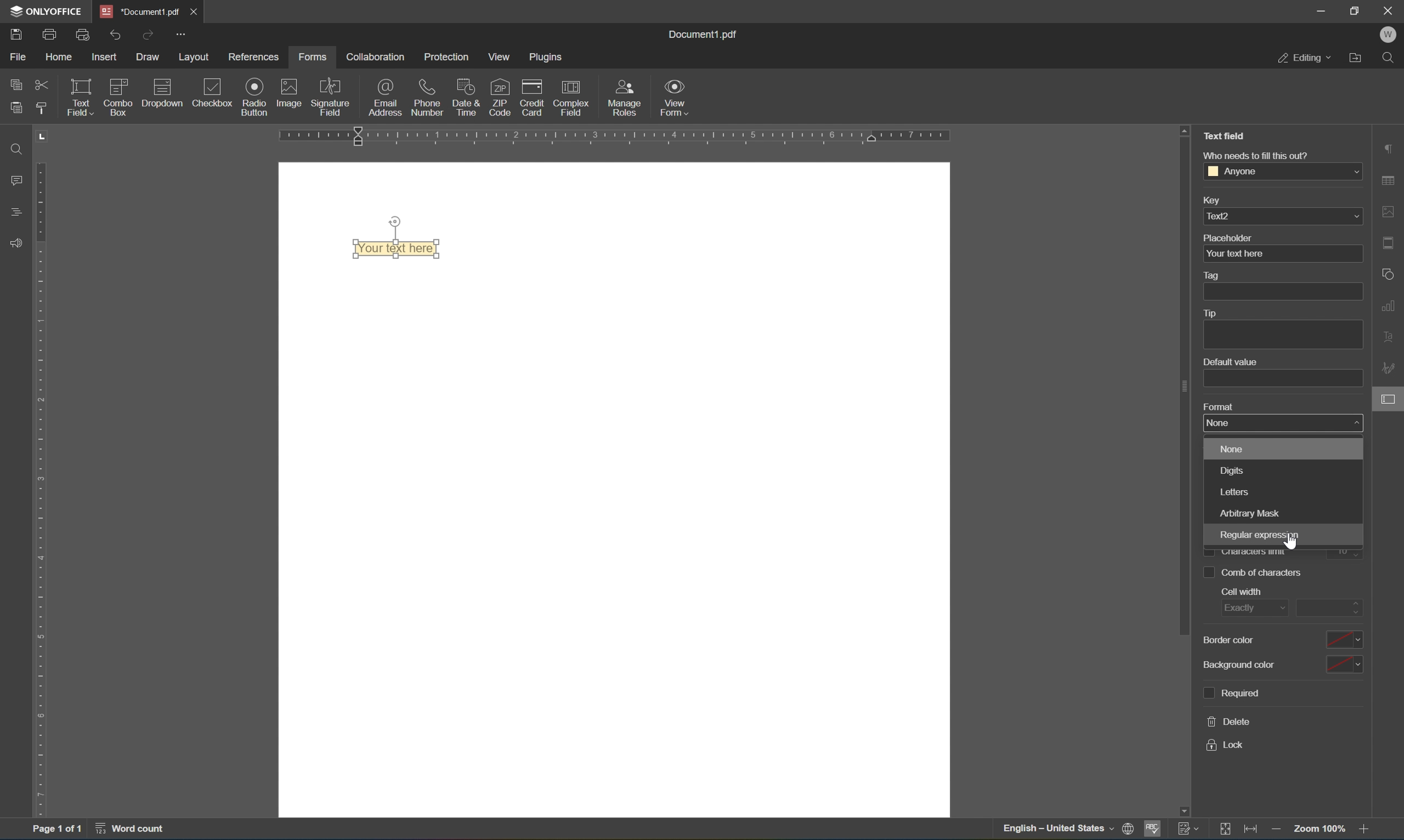 Image resolution: width=1404 pixels, height=840 pixels. Describe the element at coordinates (571, 97) in the screenshot. I see `complex field` at that location.